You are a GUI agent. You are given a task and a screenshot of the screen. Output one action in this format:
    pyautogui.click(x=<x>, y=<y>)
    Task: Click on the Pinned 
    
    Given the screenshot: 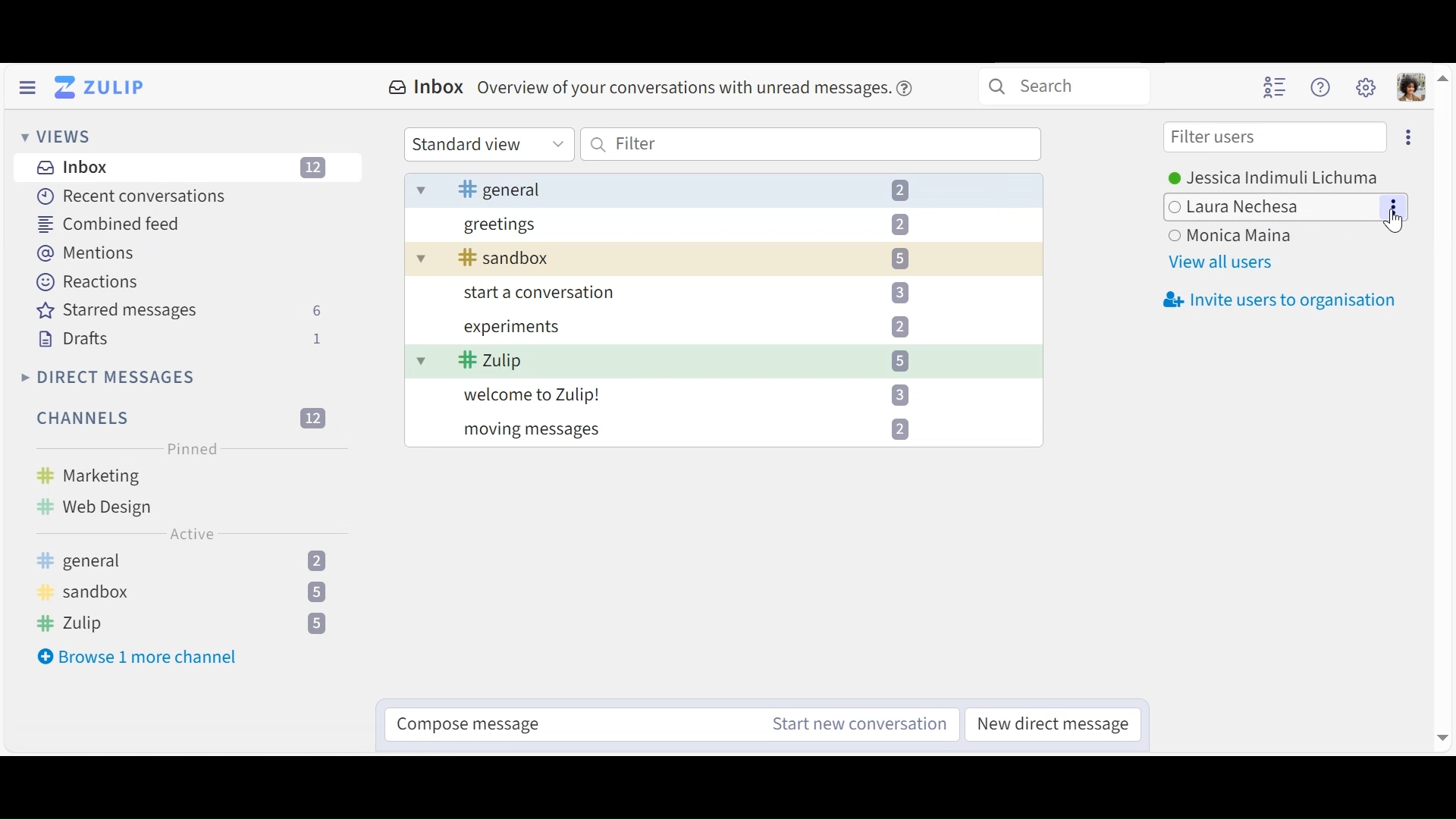 What is the action you would take?
    pyautogui.click(x=189, y=448)
    